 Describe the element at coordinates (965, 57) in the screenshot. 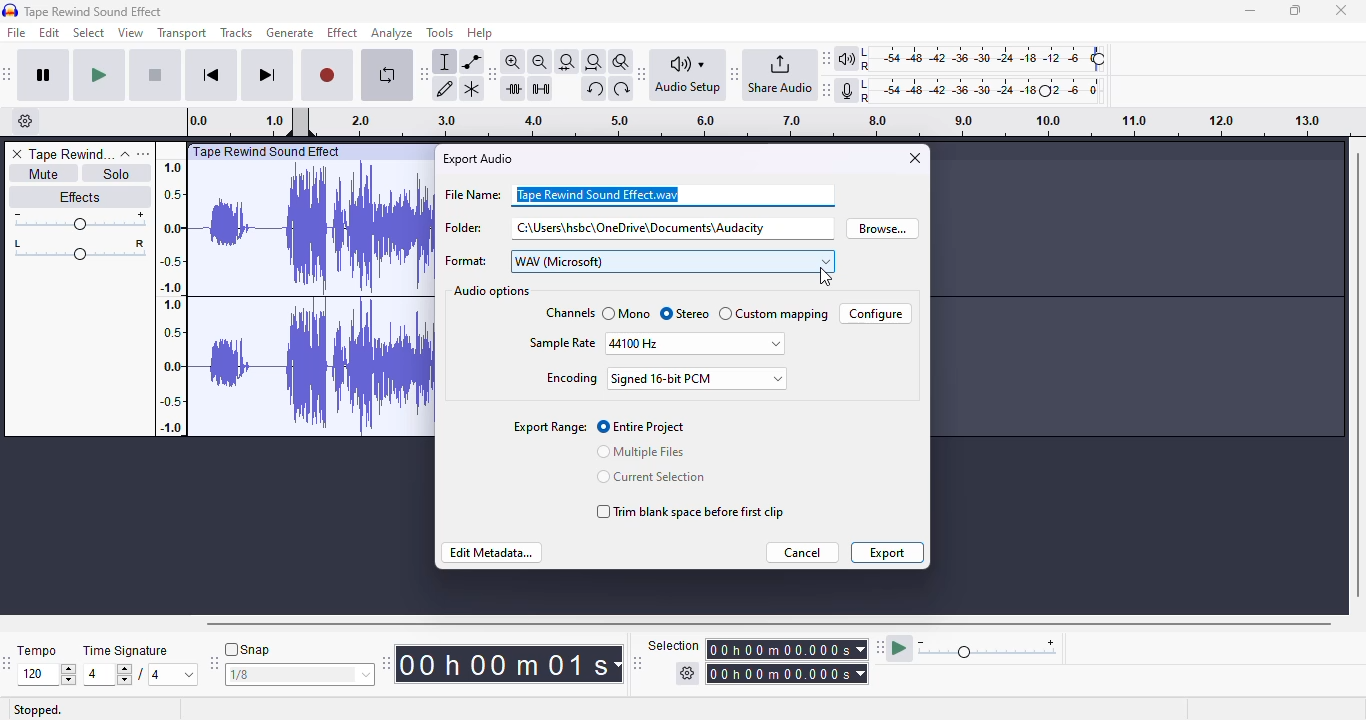

I see `audacity playback meter toolbar` at that location.